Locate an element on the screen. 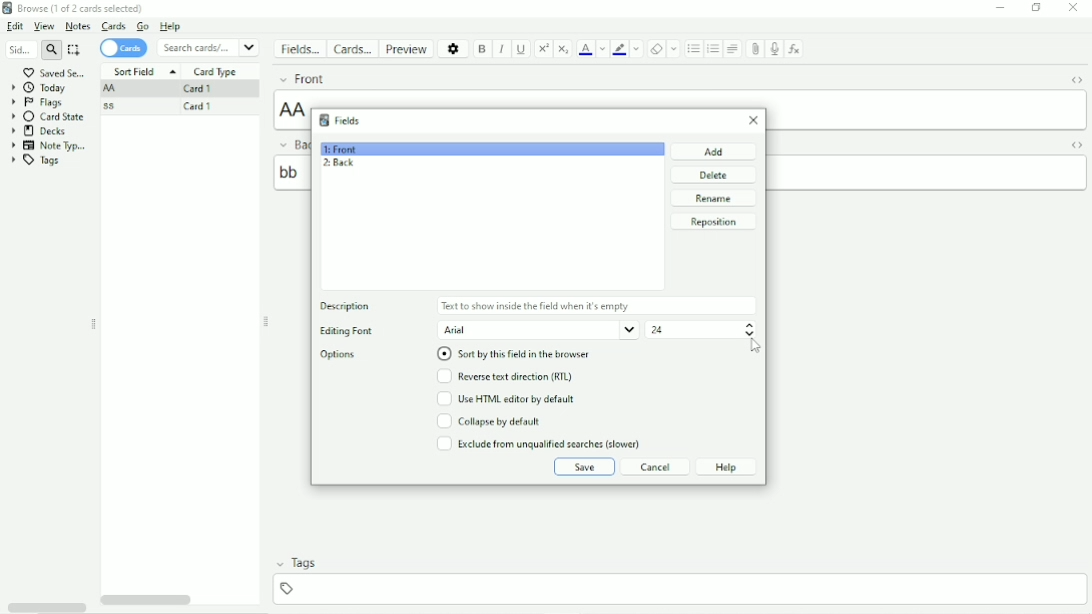 This screenshot has width=1092, height=614. Cancel is located at coordinates (653, 467).